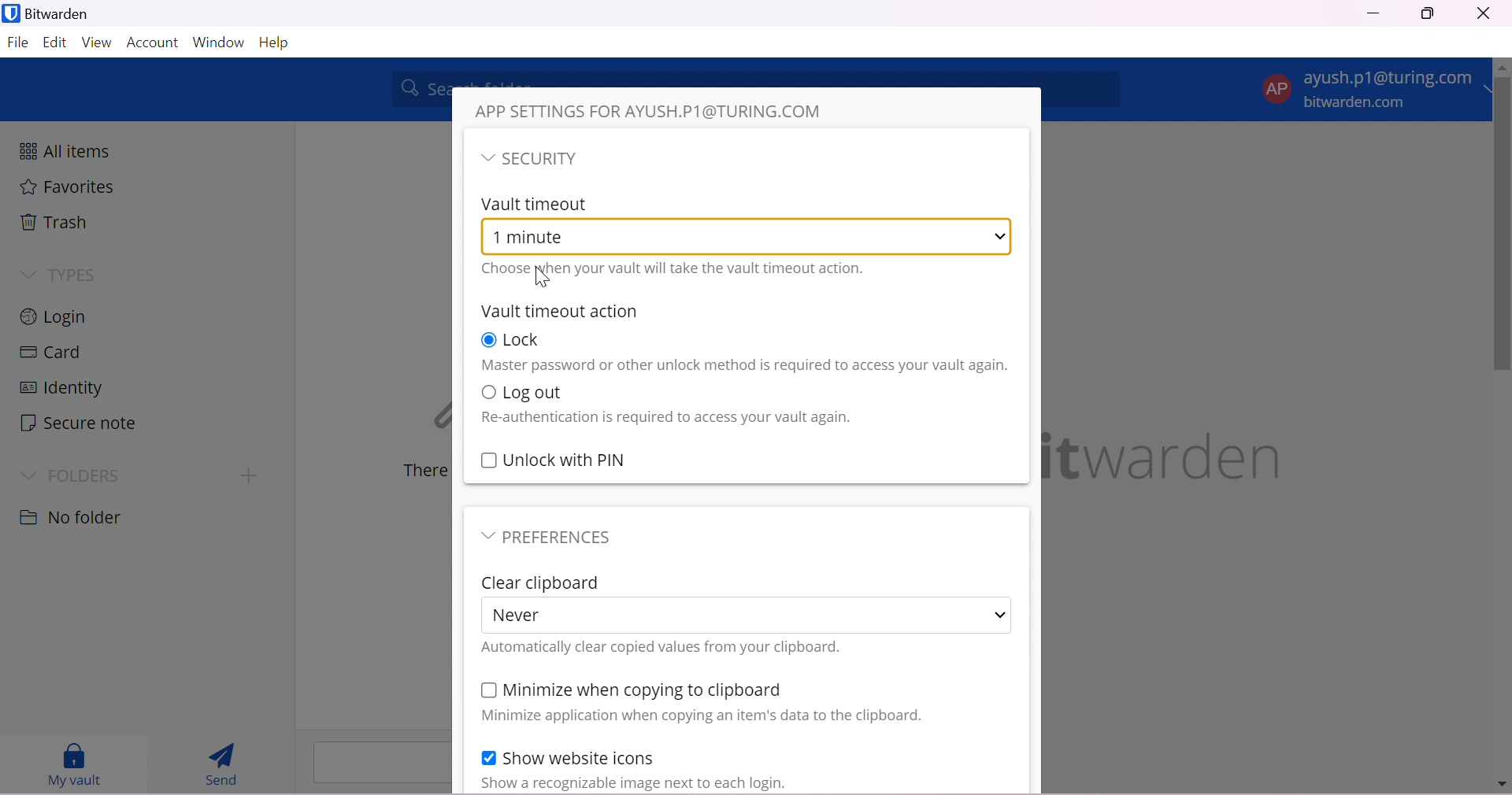  What do you see at coordinates (1373, 12) in the screenshot?
I see `Minimize` at bounding box center [1373, 12].